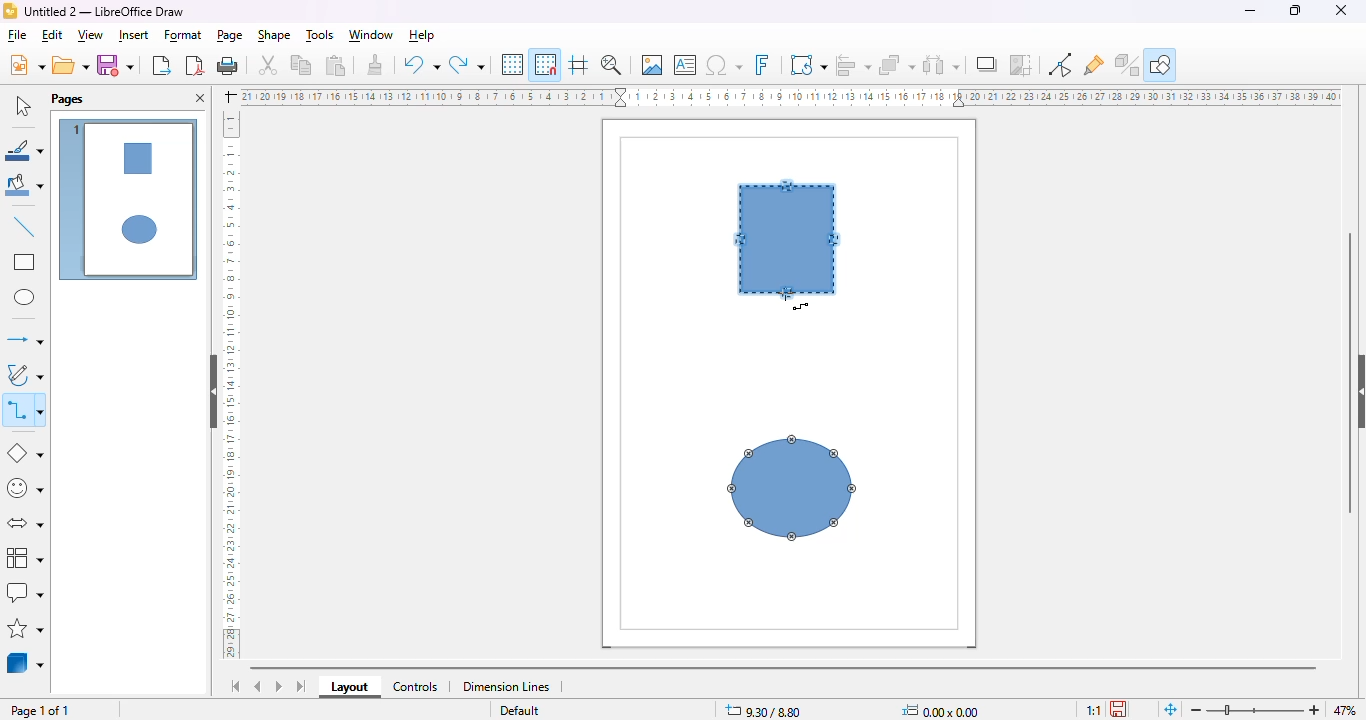  What do you see at coordinates (787, 665) in the screenshot?
I see `horizontal scroll bar` at bounding box center [787, 665].